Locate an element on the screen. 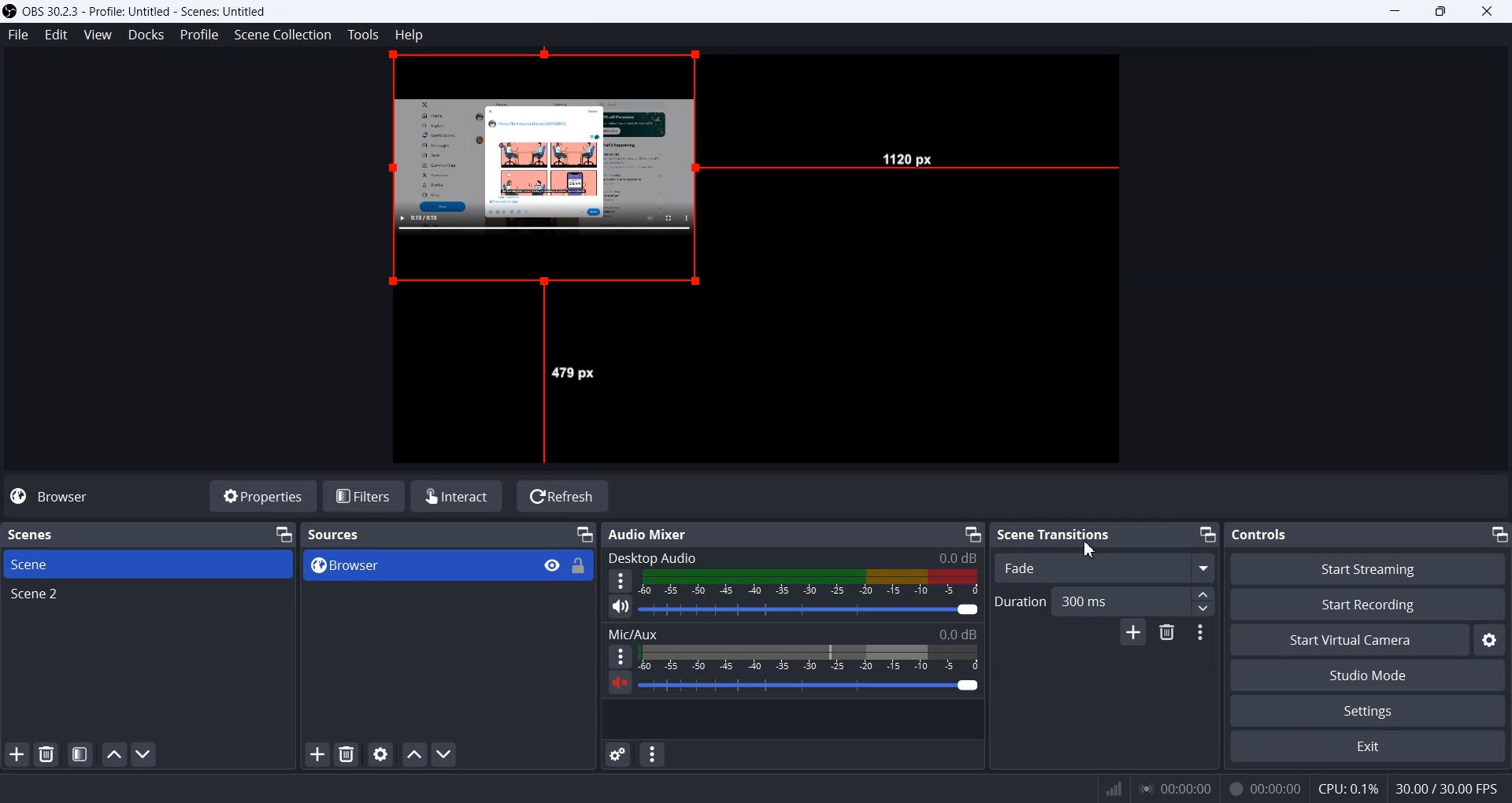 This screenshot has height=803, width=1512. Edit is located at coordinates (54, 35).